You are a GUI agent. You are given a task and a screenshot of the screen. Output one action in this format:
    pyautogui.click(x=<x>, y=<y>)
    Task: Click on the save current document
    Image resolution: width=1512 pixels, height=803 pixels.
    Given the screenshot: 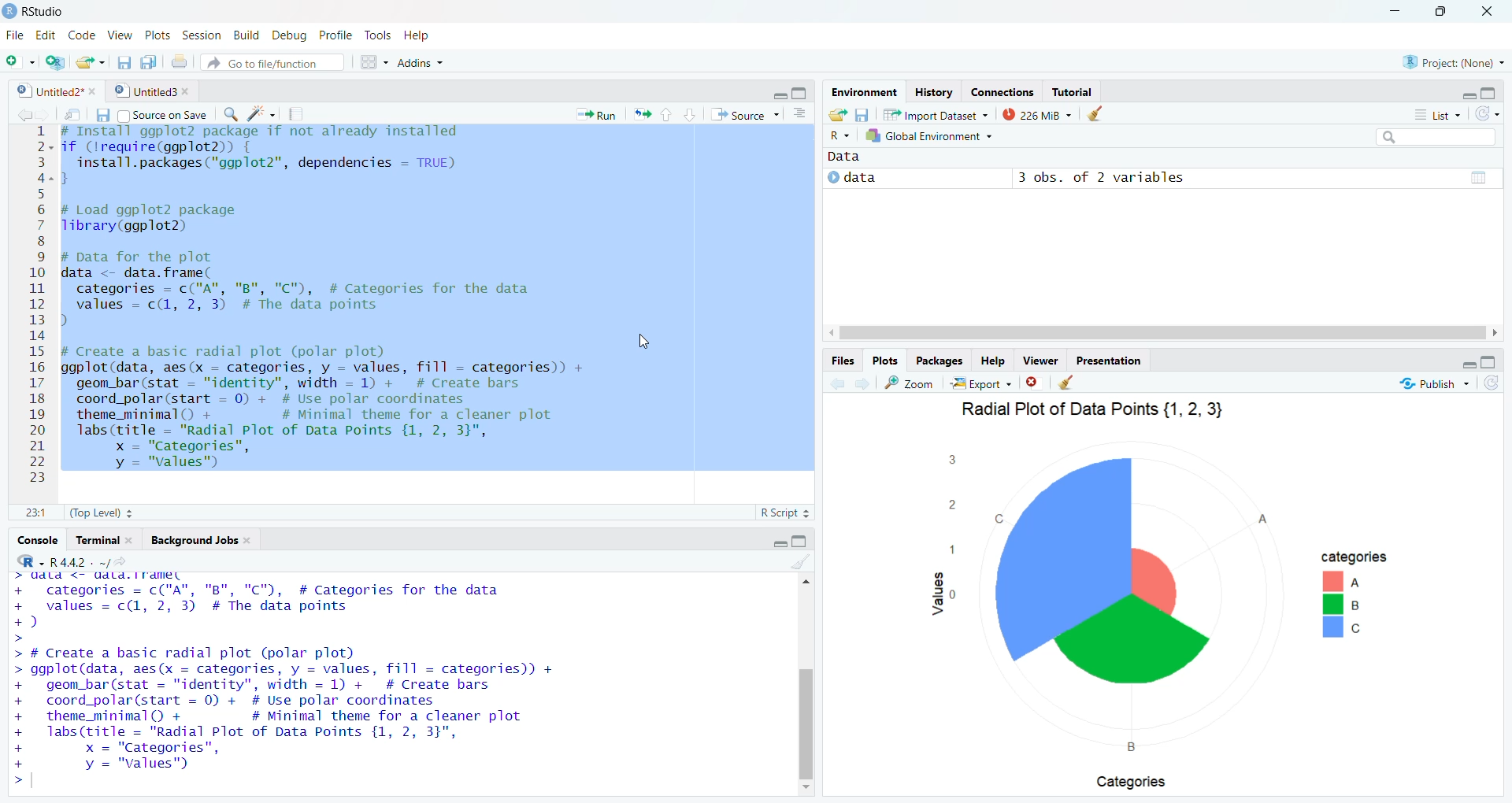 What is the action you would take?
    pyautogui.click(x=124, y=62)
    